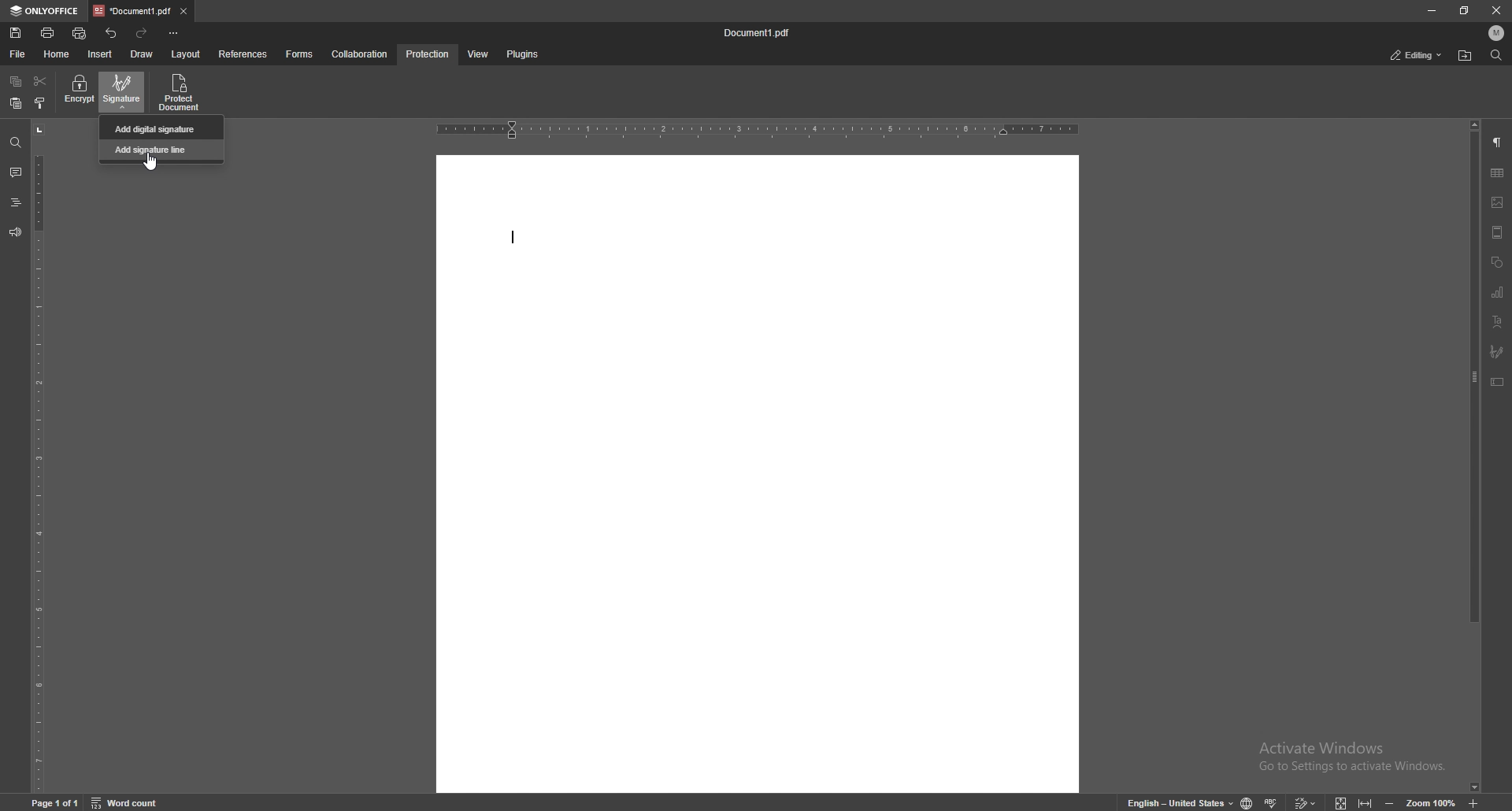 This screenshot has height=811, width=1512. I want to click on print, so click(49, 32).